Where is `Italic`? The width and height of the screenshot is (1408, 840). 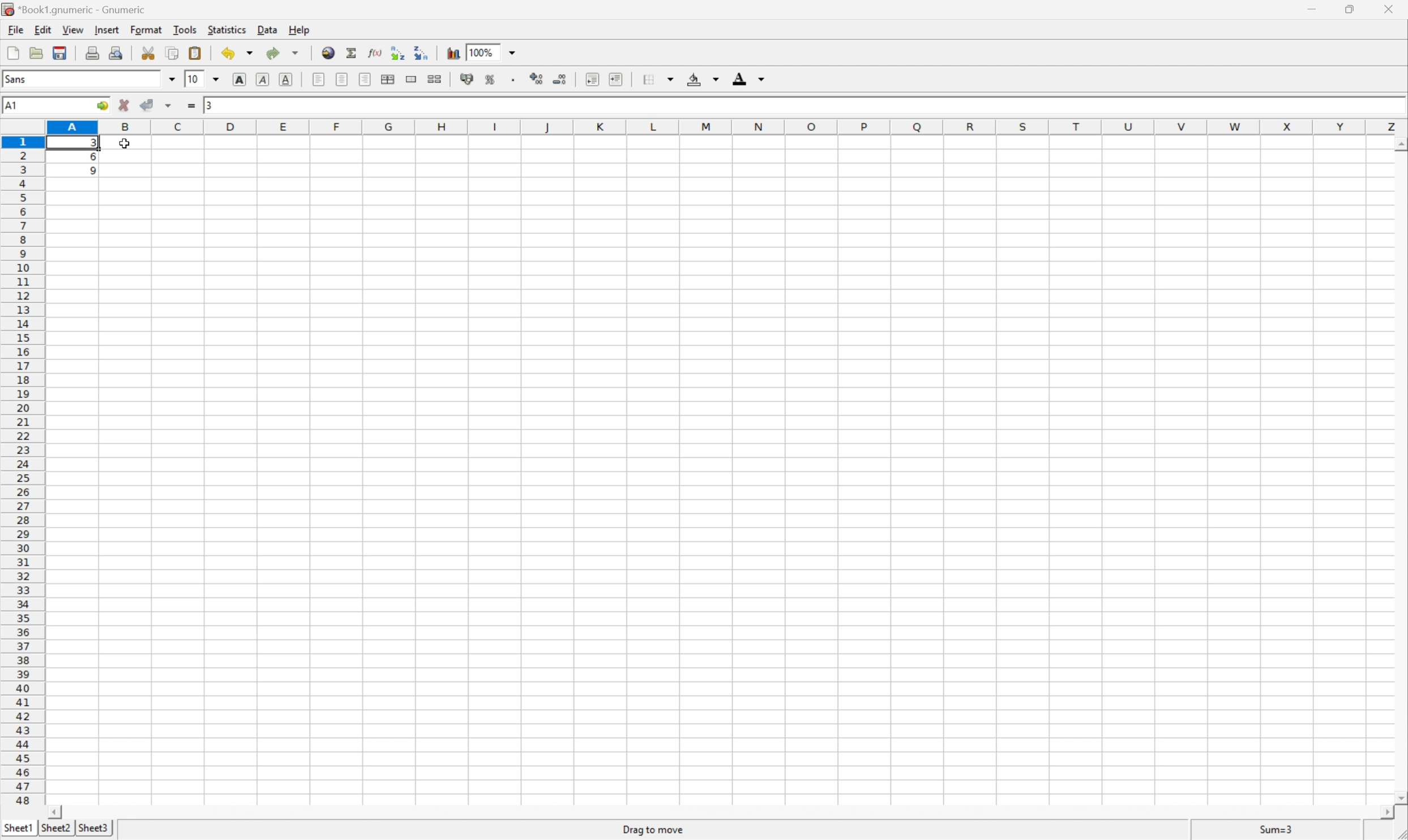
Italic is located at coordinates (262, 79).